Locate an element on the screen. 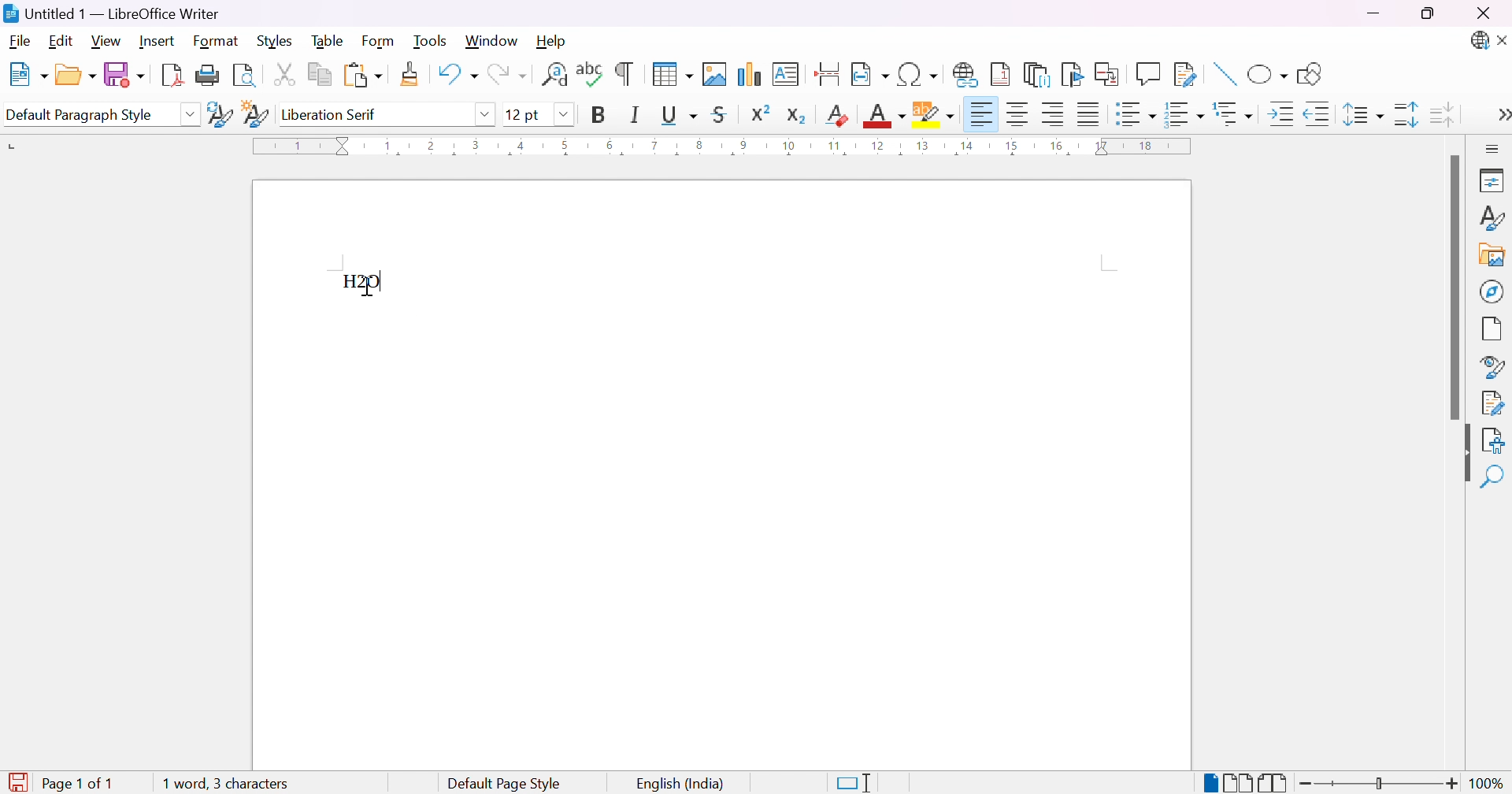 The height and width of the screenshot is (794, 1512). View is located at coordinates (108, 40).